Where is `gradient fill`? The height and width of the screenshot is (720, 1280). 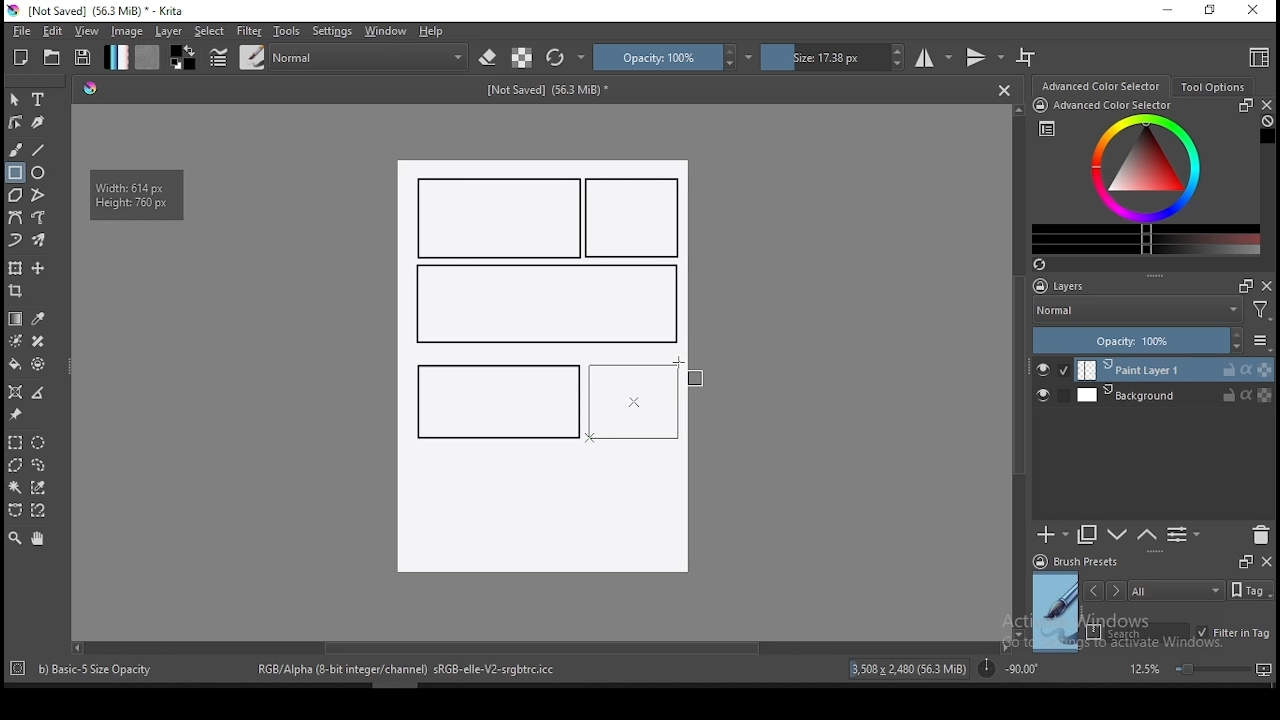
gradient fill is located at coordinates (116, 57).